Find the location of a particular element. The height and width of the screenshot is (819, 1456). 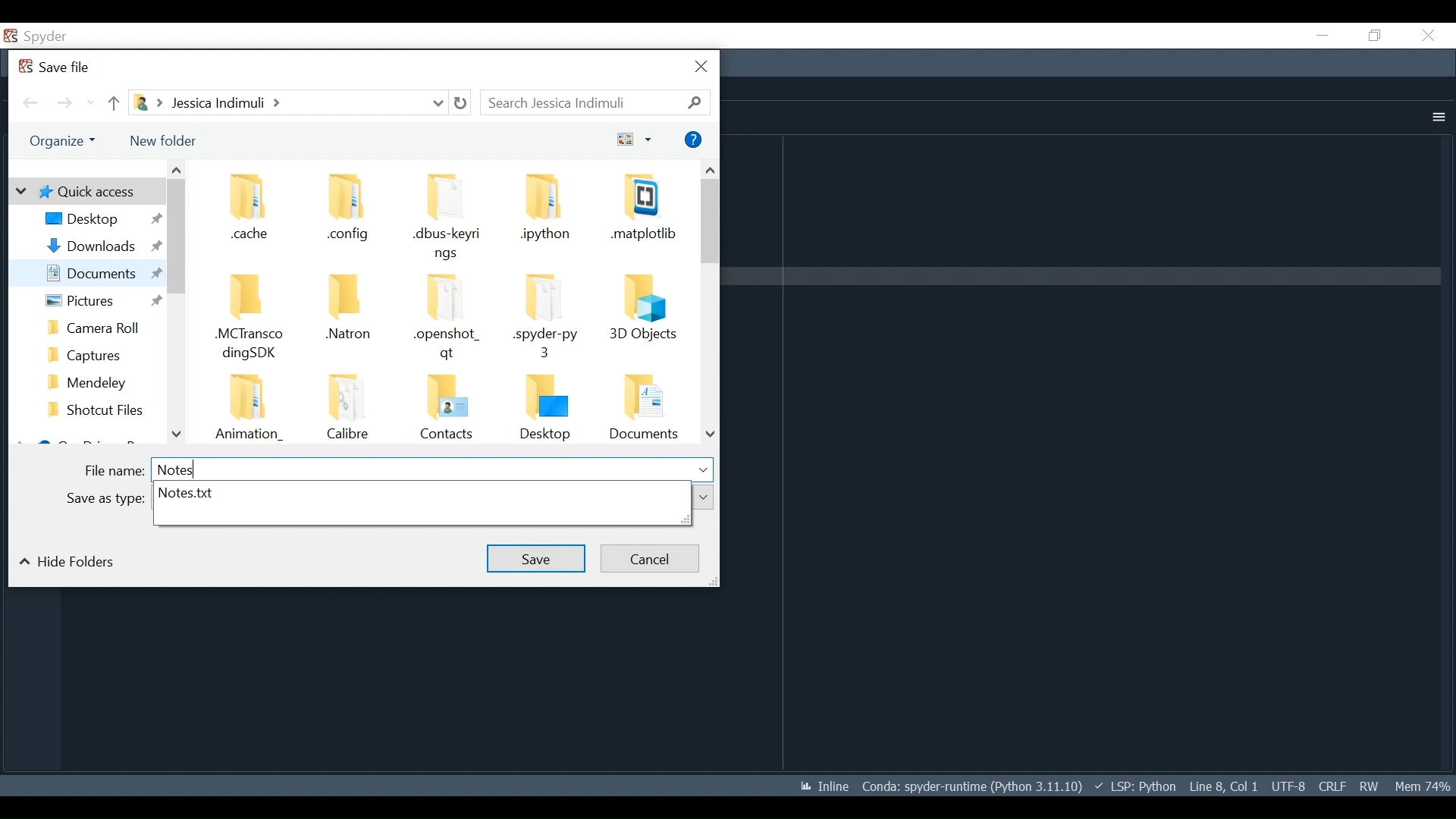

Restore is located at coordinates (1373, 36).